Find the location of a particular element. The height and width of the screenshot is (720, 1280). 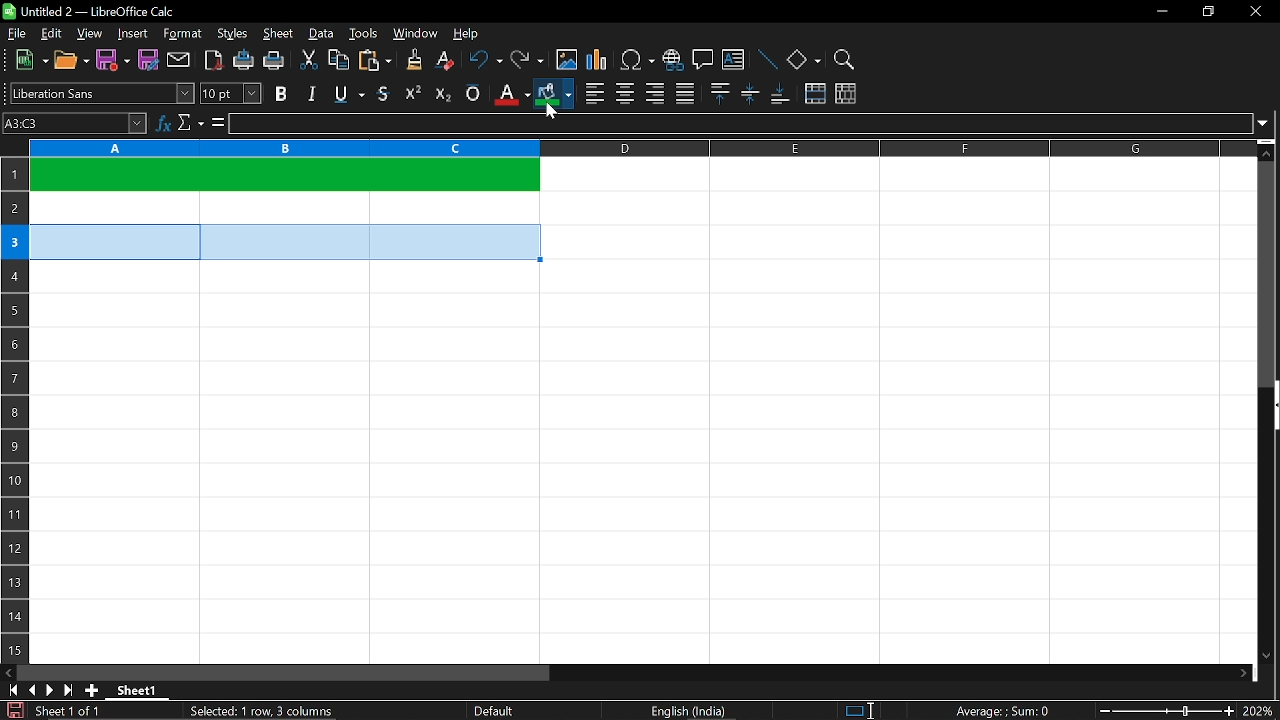

help is located at coordinates (474, 32).